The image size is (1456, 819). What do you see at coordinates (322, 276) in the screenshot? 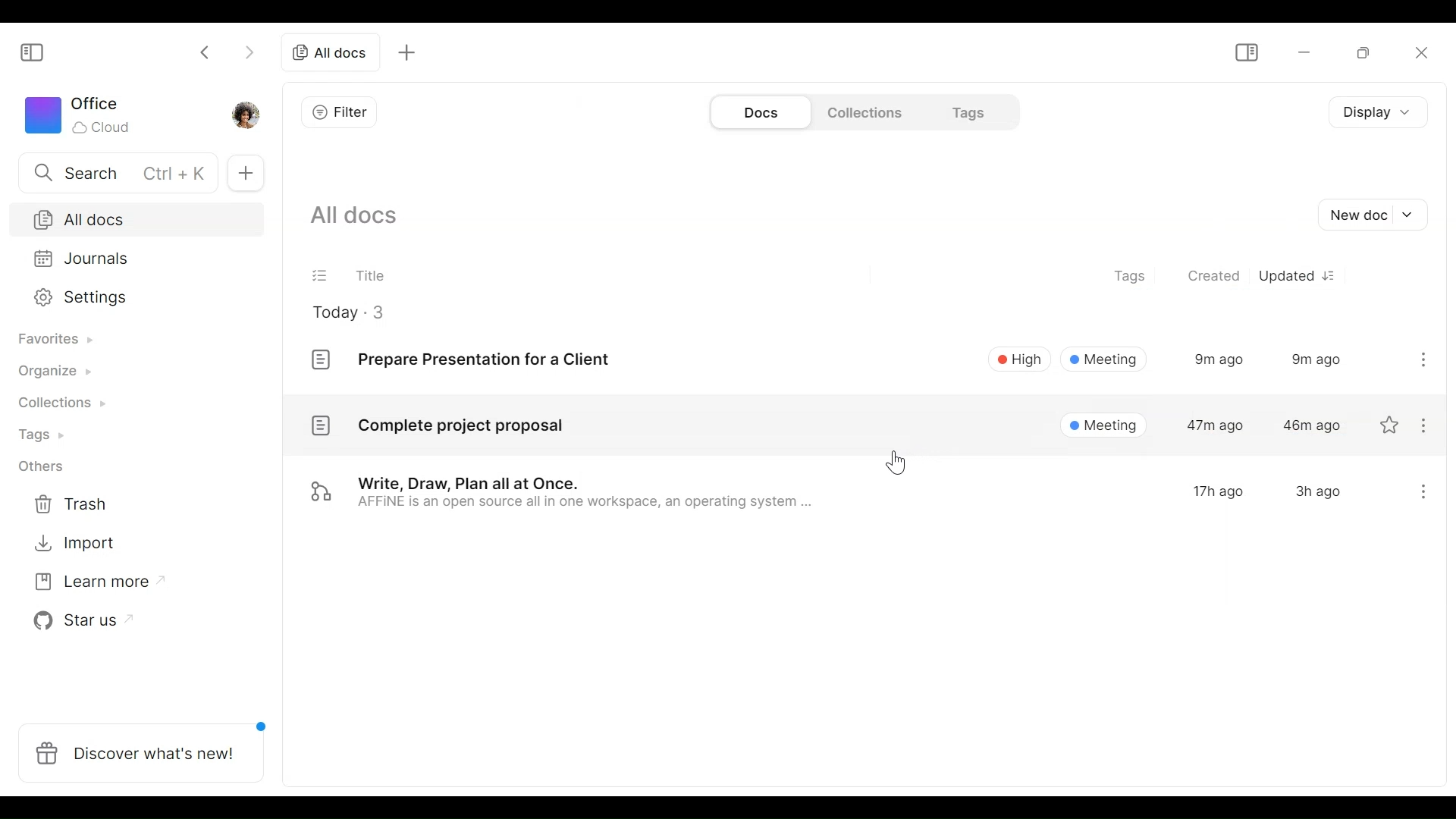
I see `(un)select` at bounding box center [322, 276].